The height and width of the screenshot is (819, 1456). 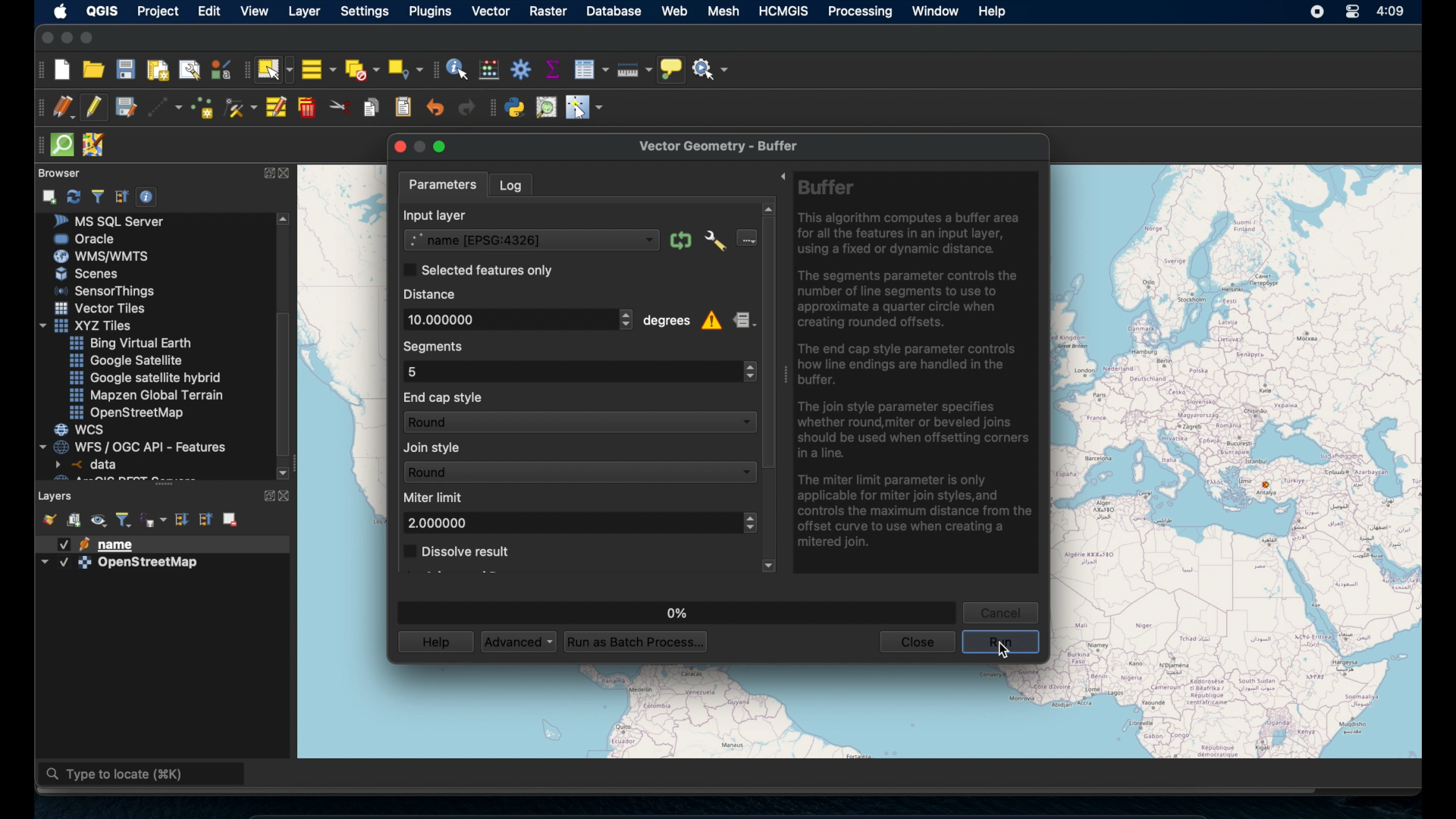 I want to click on bing virtual earth, so click(x=129, y=344).